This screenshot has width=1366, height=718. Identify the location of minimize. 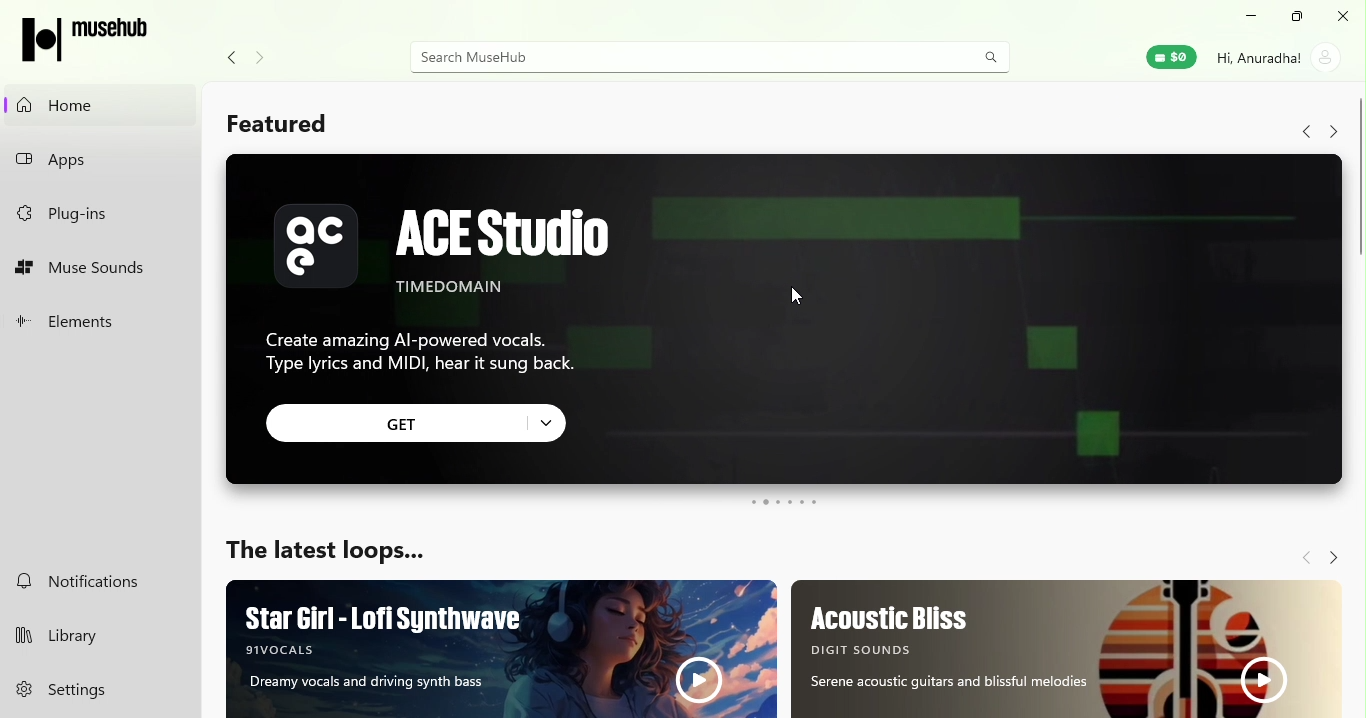
(1249, 19).